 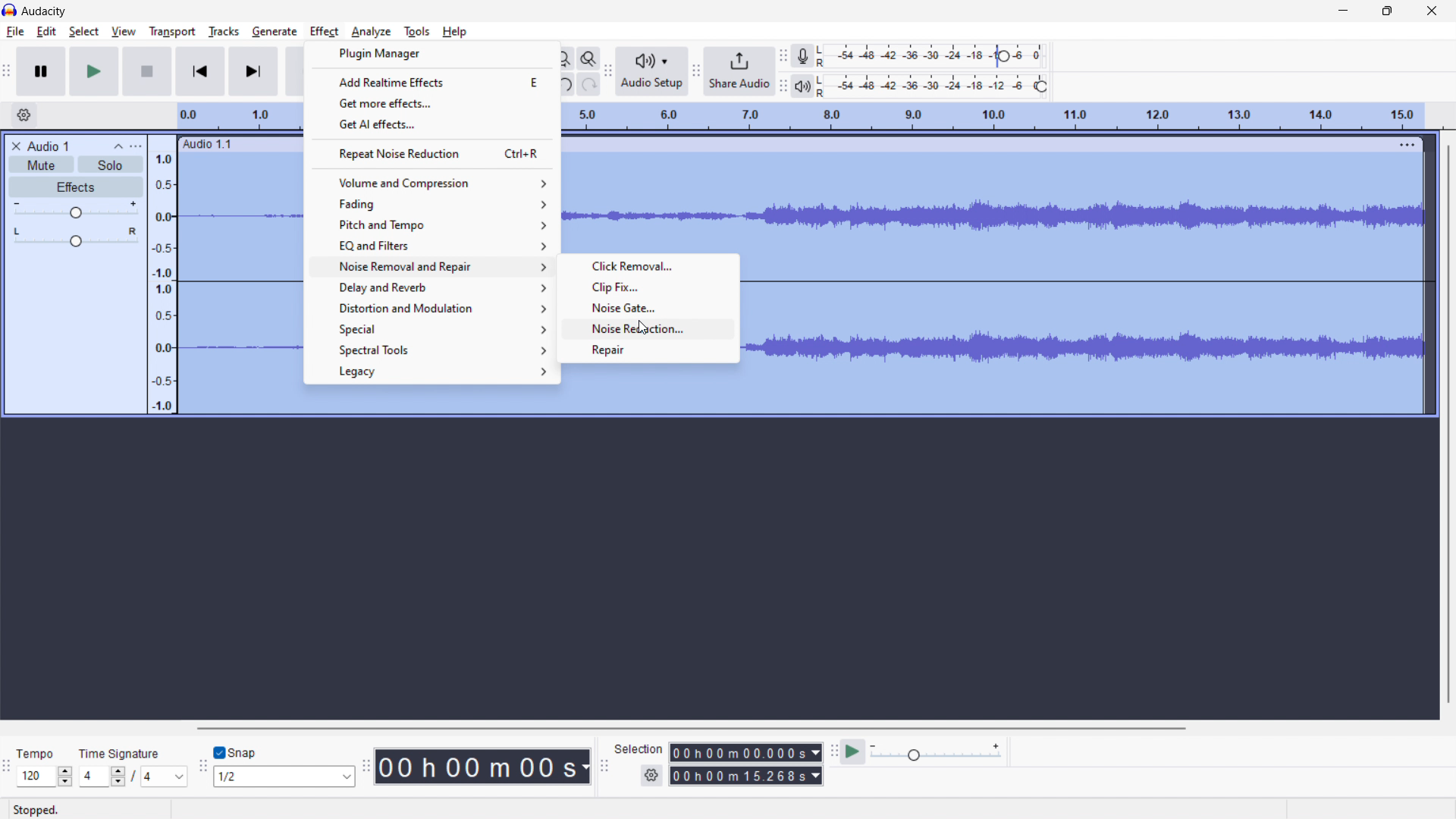 I want to click on effect, so click(x=325, y=32).